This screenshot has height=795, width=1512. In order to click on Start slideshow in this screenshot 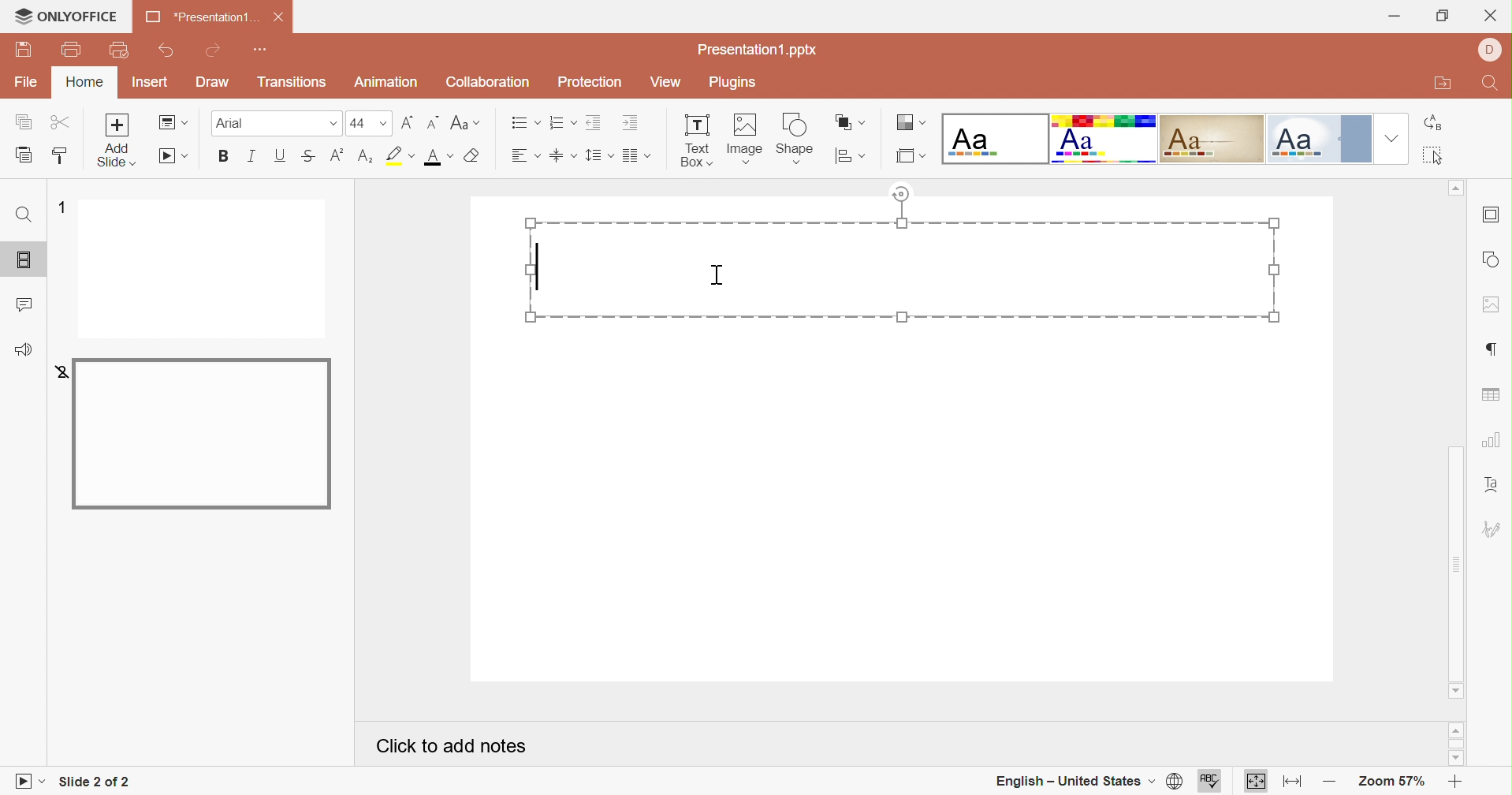, I will do `click(172, 157)`.